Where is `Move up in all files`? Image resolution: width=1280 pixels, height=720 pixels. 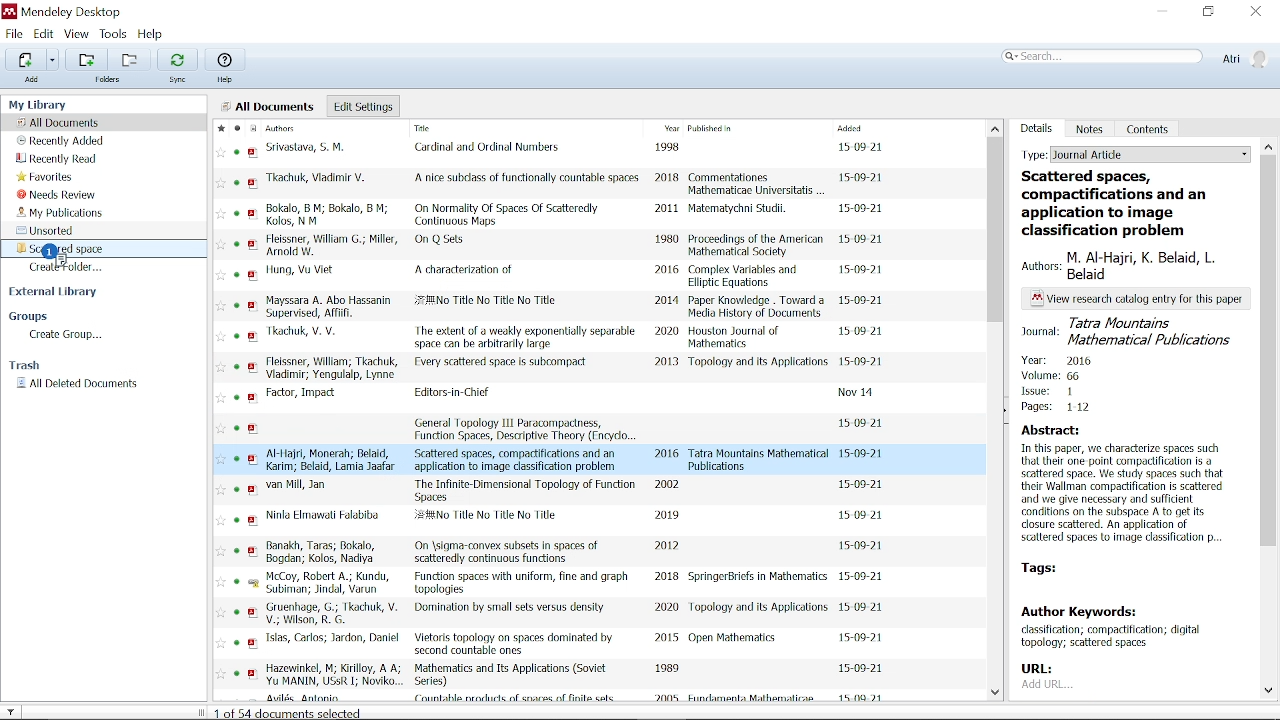
Move up in all files is located at coordinates (995, 128).